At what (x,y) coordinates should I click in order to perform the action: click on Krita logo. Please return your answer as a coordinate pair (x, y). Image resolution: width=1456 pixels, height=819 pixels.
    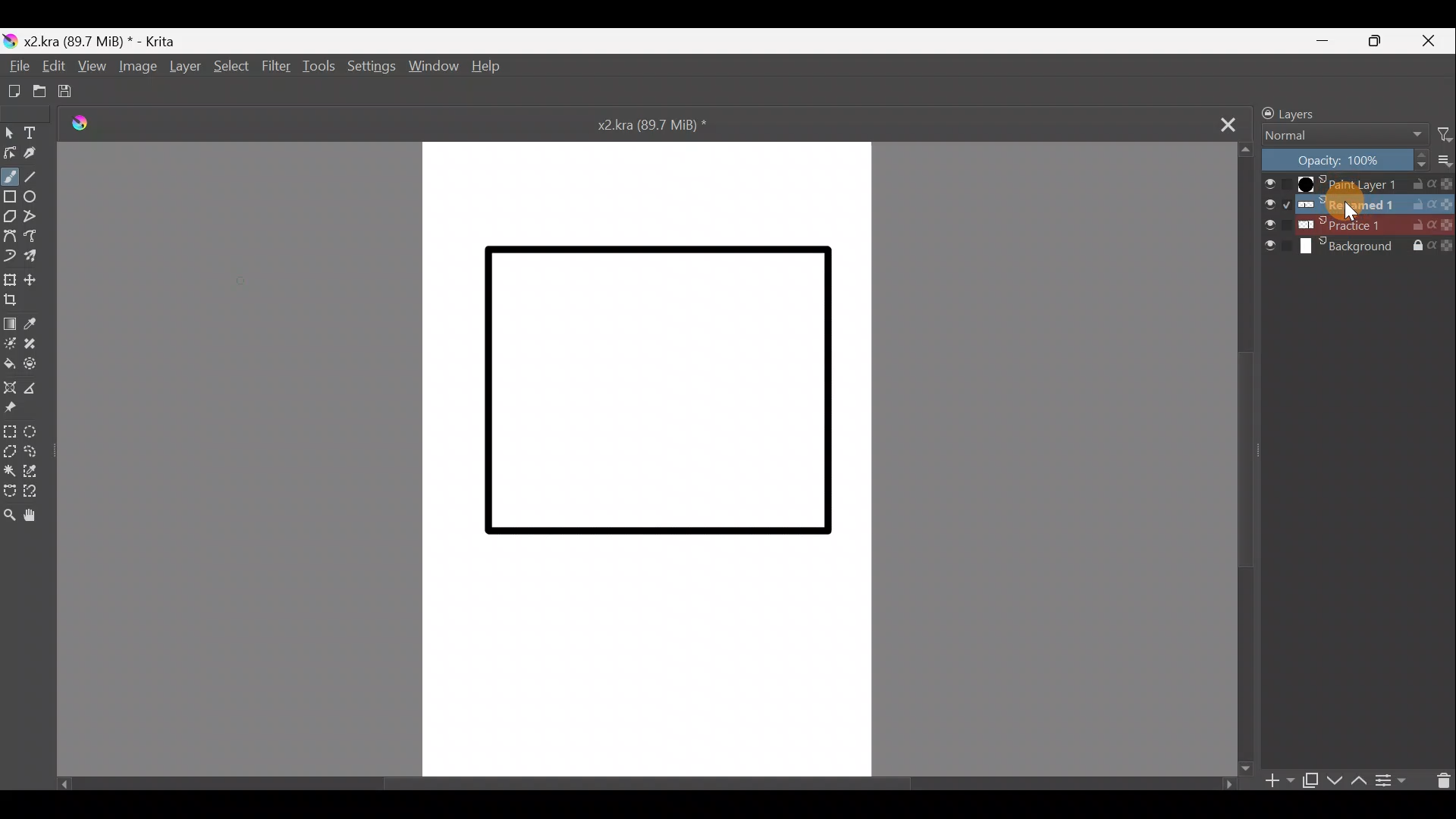
    Looking at the image, I should click on (10, 42).